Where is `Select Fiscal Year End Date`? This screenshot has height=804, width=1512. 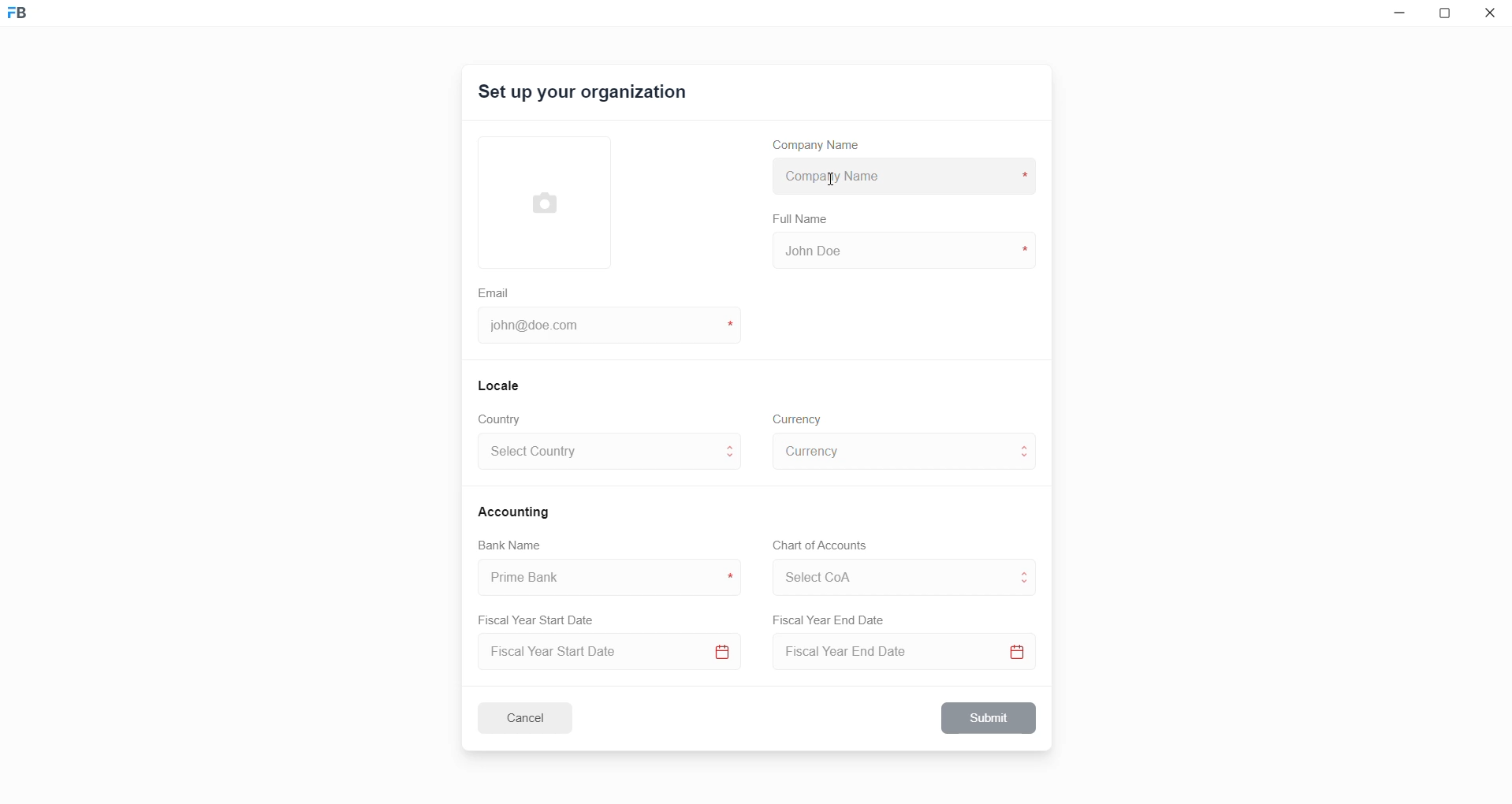
Select Fiscal Year End Date is located at coordinates (909, 655).